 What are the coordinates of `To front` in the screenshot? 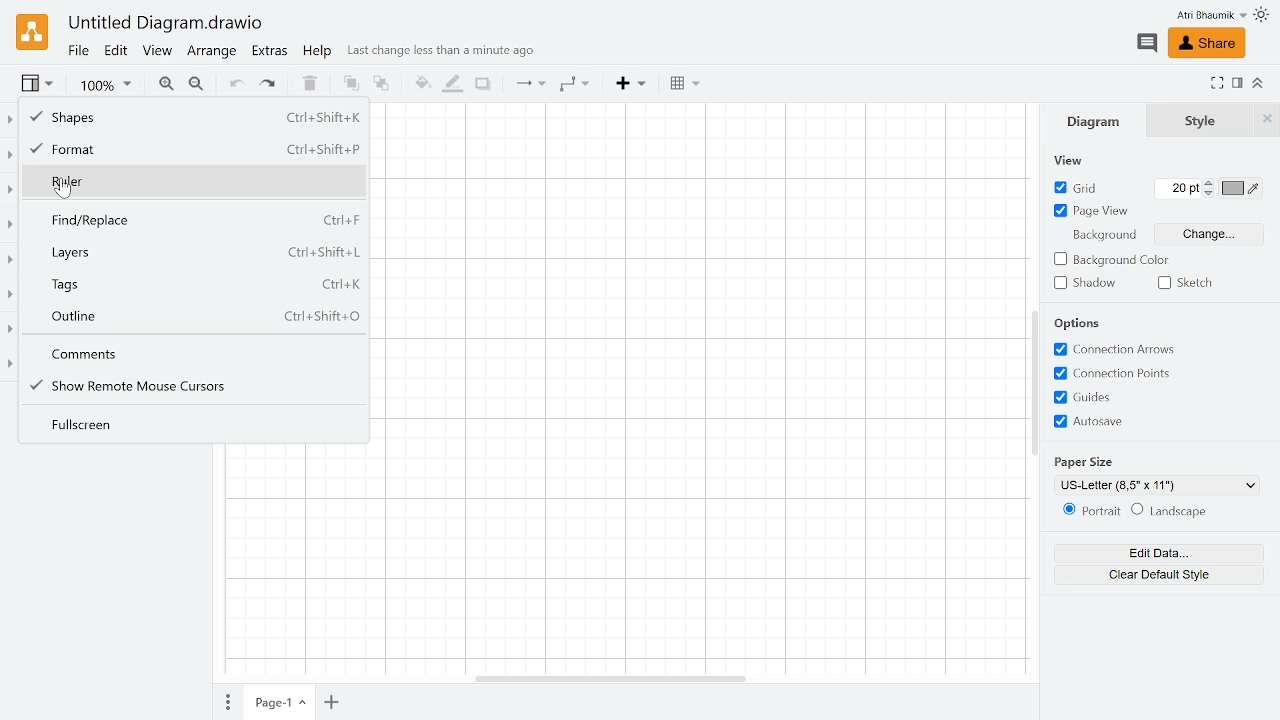 It's located at (350, 86).